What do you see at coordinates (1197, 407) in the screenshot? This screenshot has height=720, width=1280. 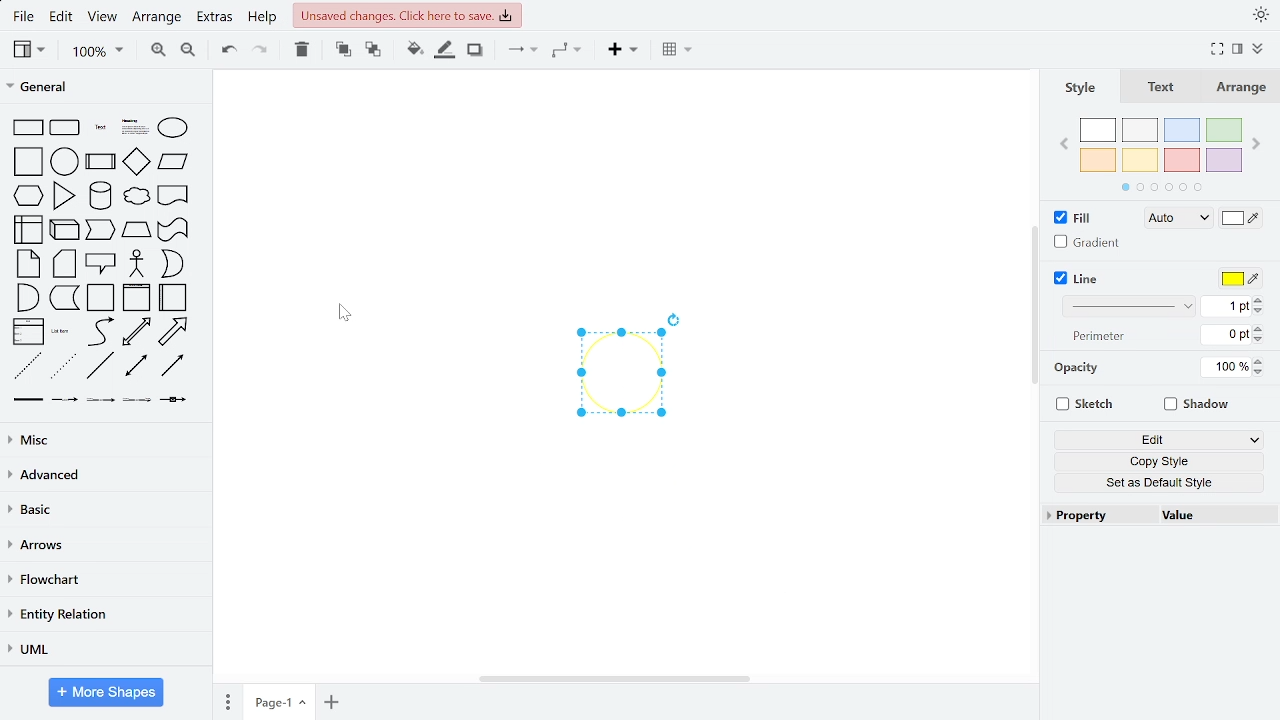 I see `shadow` at bounding box center [1197, 407].